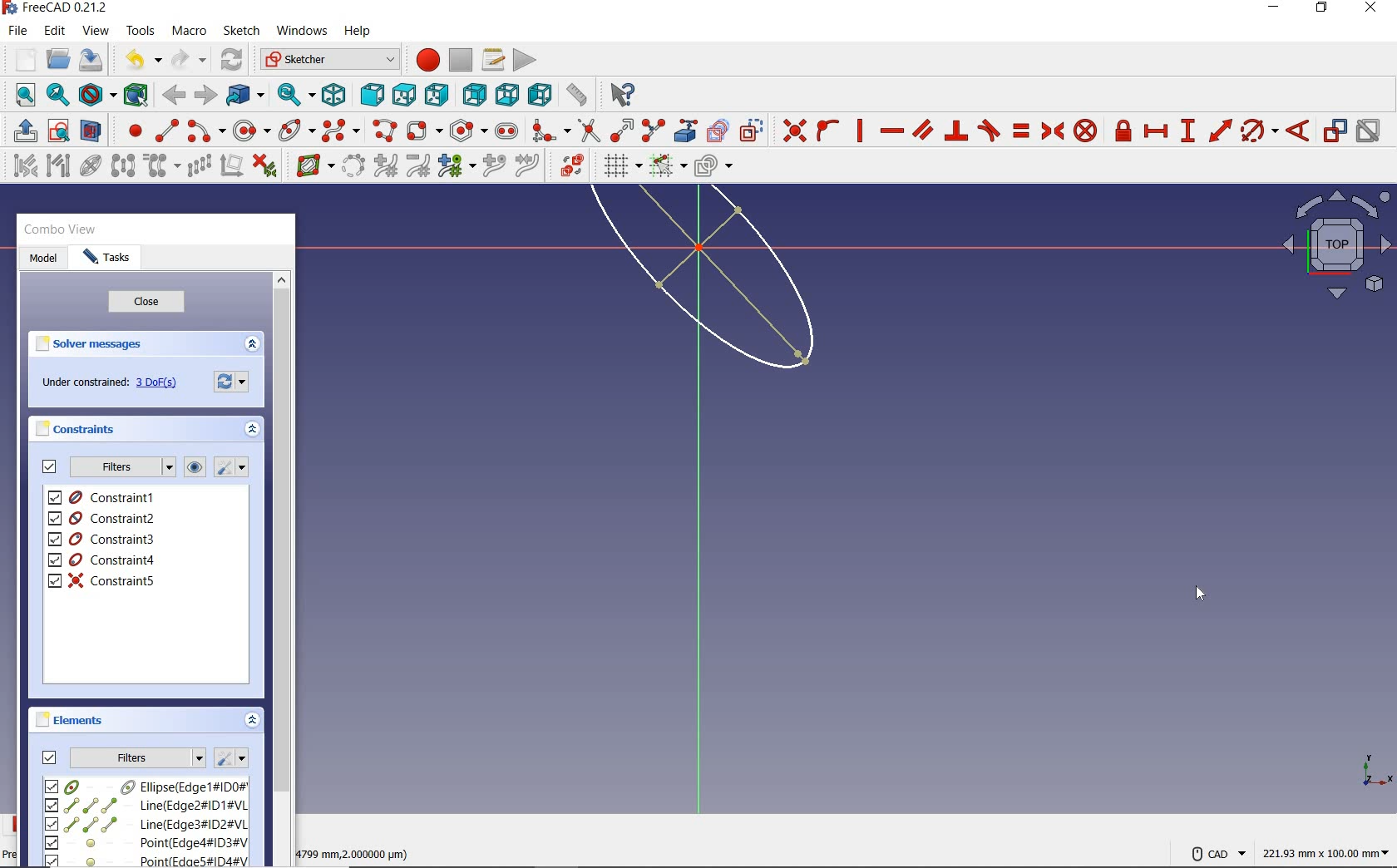 The height and width of the screenshot is (868, 1397). What do you see at coordinates (1260, 130) in the screenshot?
I see `constrain ar/circle` at bounding box center [1260, 130].